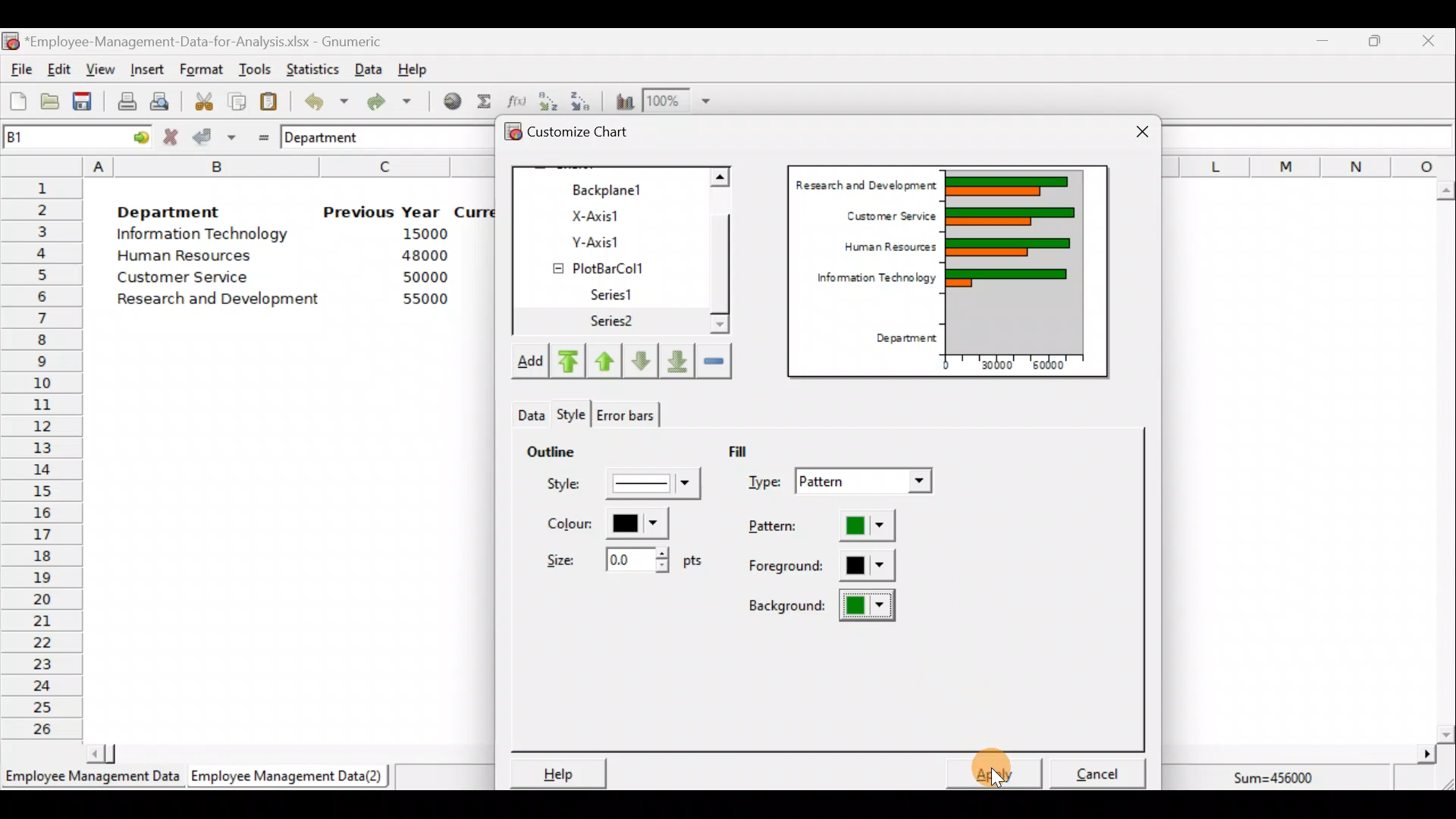  I want to click on Format, so click(201, 71).